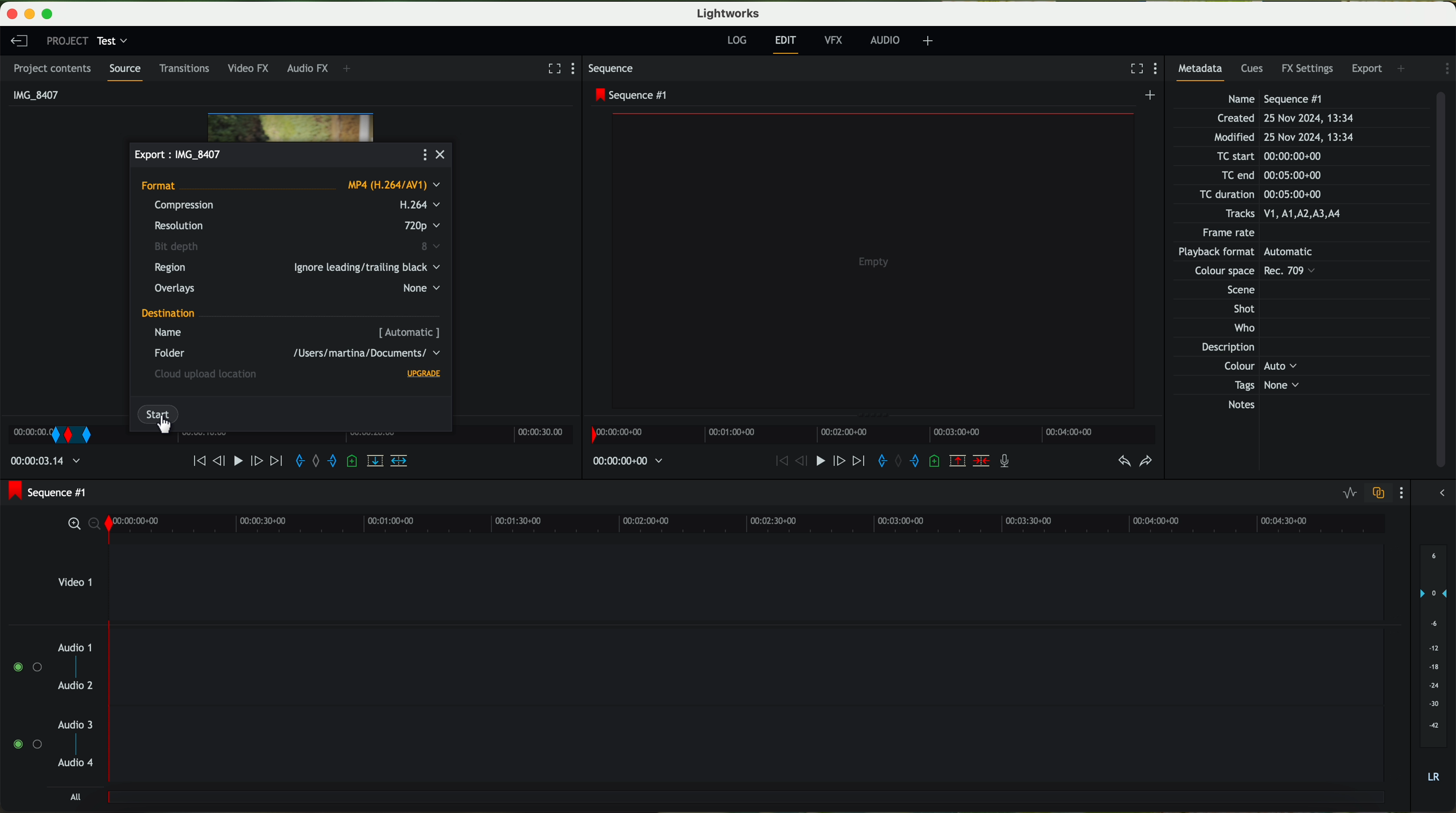 The image size is (1456, 813). What do you see at coordinates (319, 461) in the screenshot?
I see `clear marks` at bounding box center [319, 461].